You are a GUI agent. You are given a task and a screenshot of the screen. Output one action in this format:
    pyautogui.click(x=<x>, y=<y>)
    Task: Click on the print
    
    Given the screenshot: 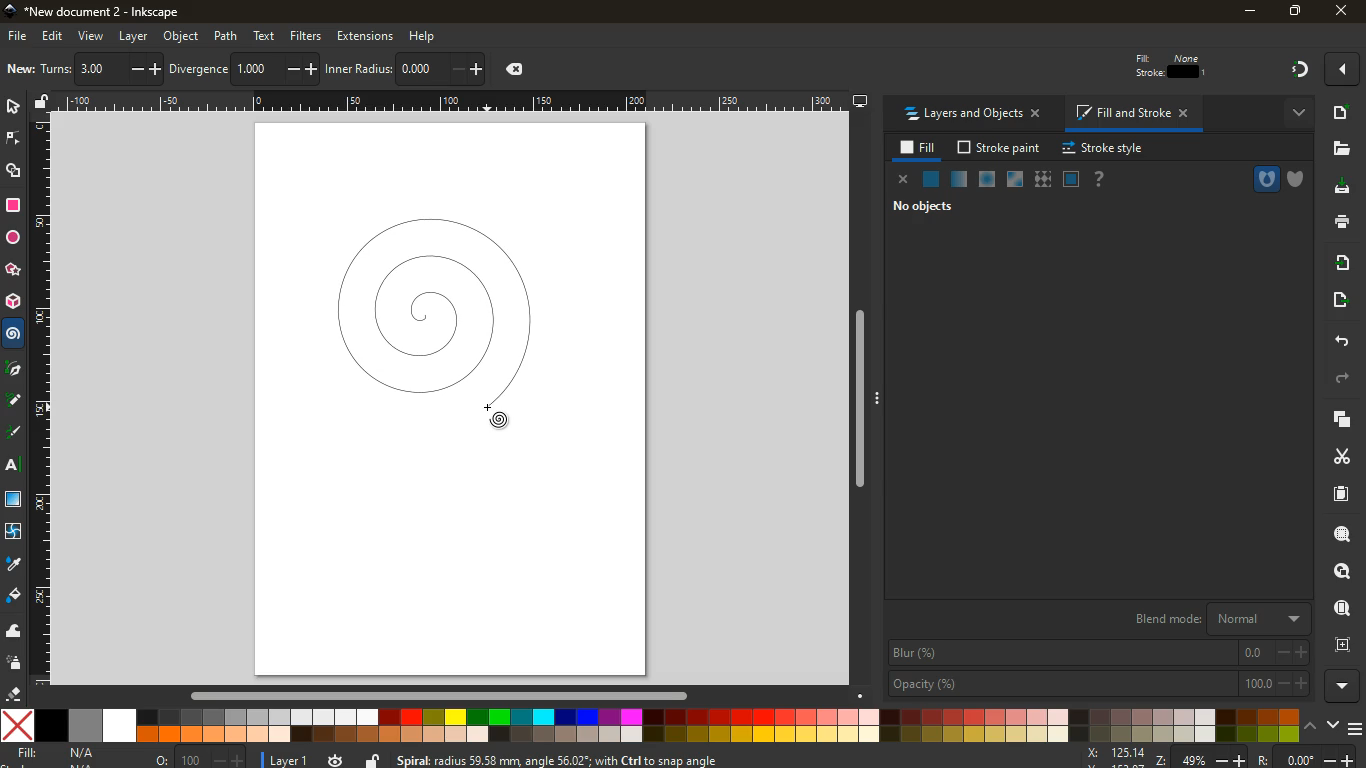 What is the action you would take?
    pyautogui.click(x=1340, y=223)
    